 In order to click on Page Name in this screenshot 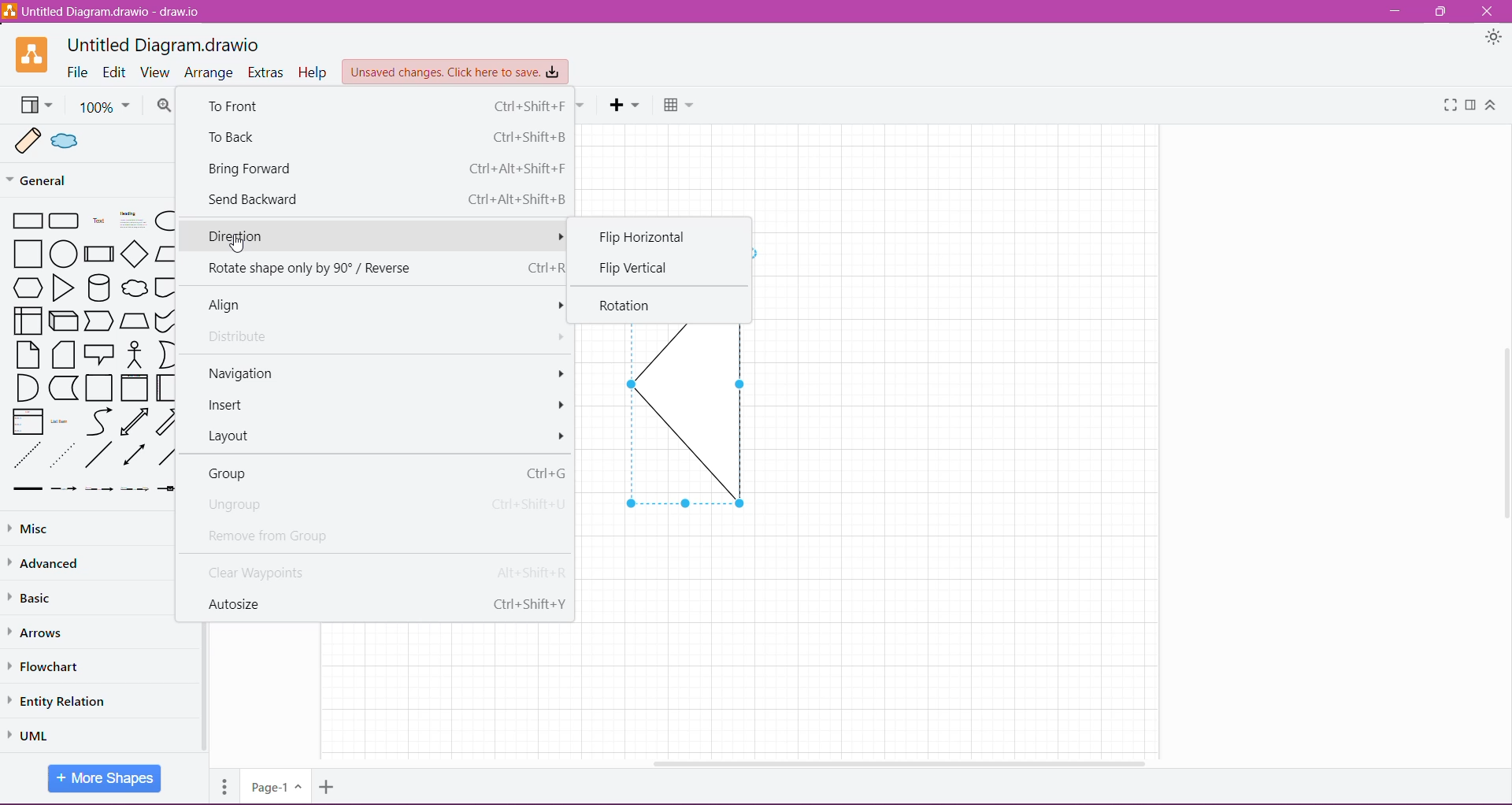, I will do `click(276, 786)`.